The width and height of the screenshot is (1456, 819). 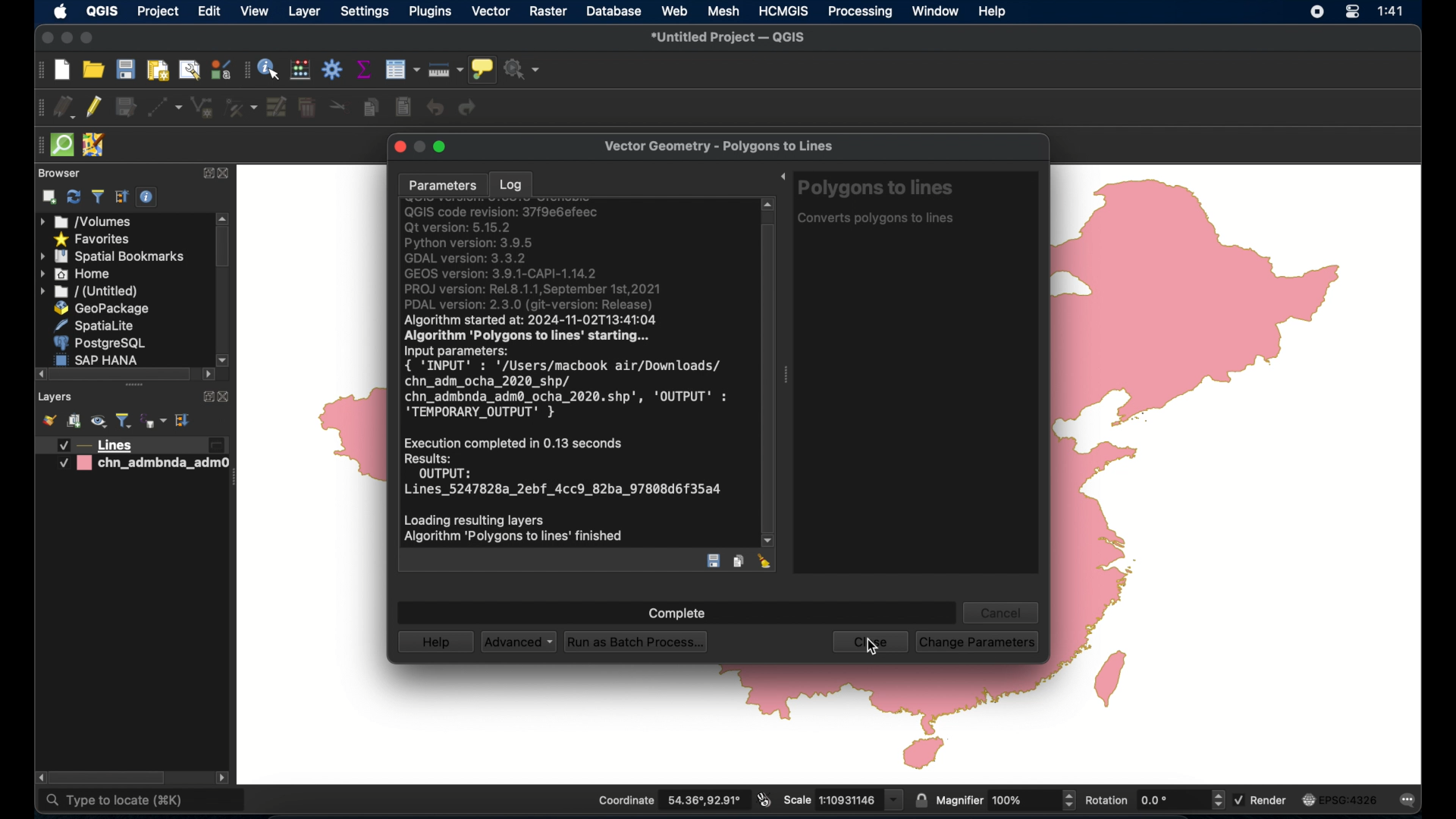 What do you see at coordinates (871, 643) in the screenshot?
I see `close` at bounding box center [871, 643].